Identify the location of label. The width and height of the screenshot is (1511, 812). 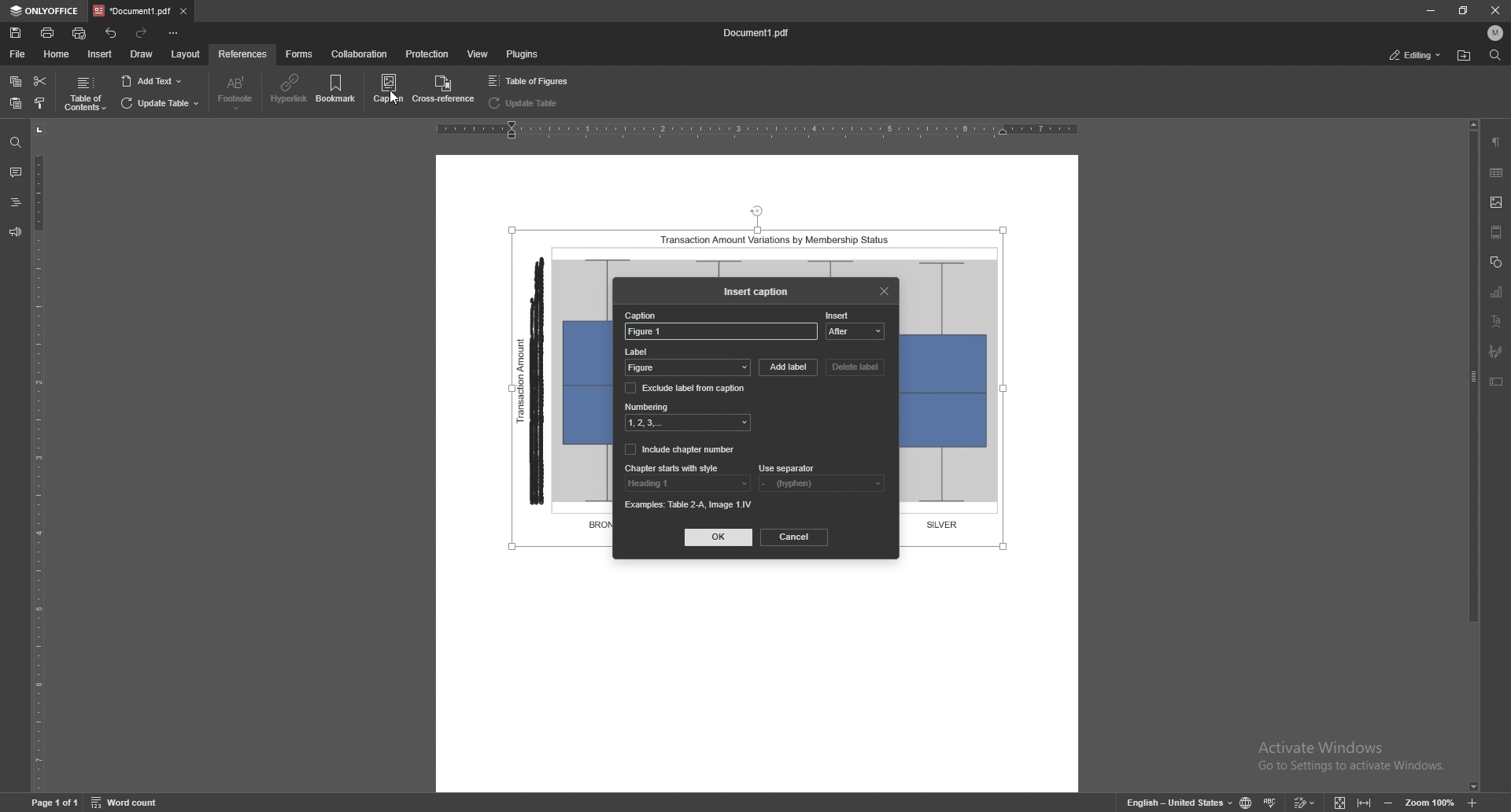
(686, 352).